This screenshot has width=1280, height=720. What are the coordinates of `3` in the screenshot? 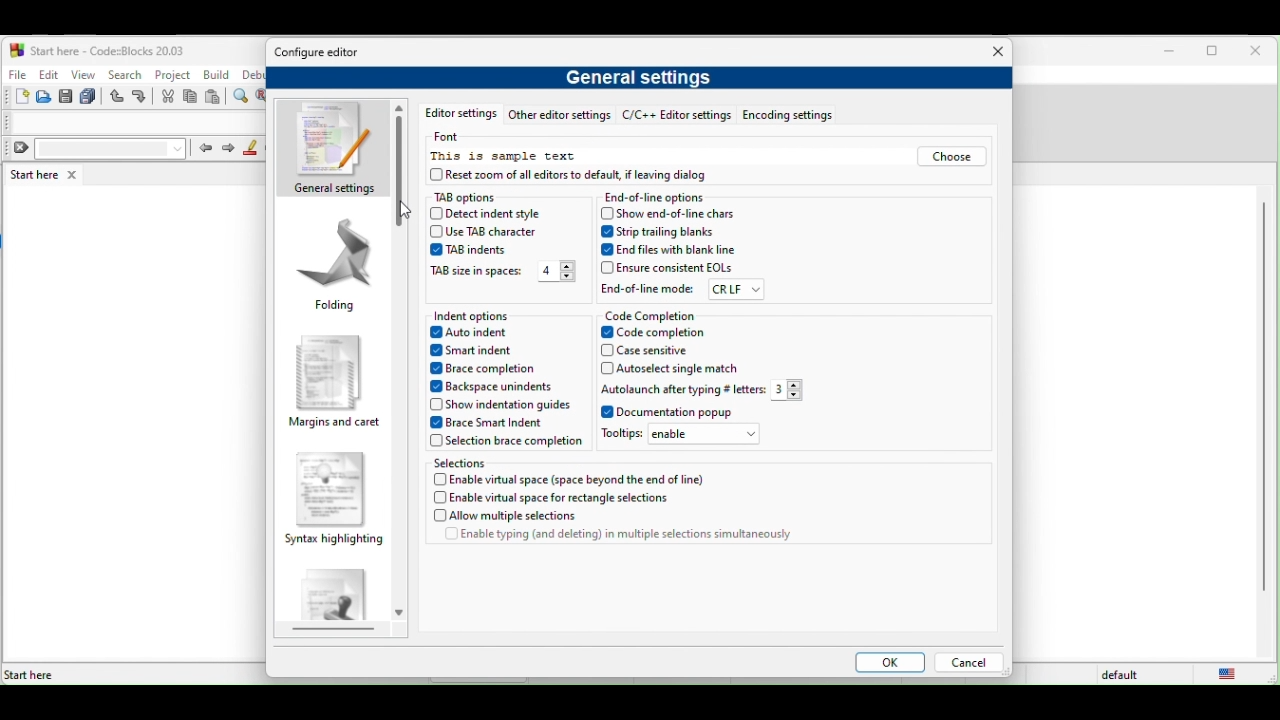 It's located at (793, 390).